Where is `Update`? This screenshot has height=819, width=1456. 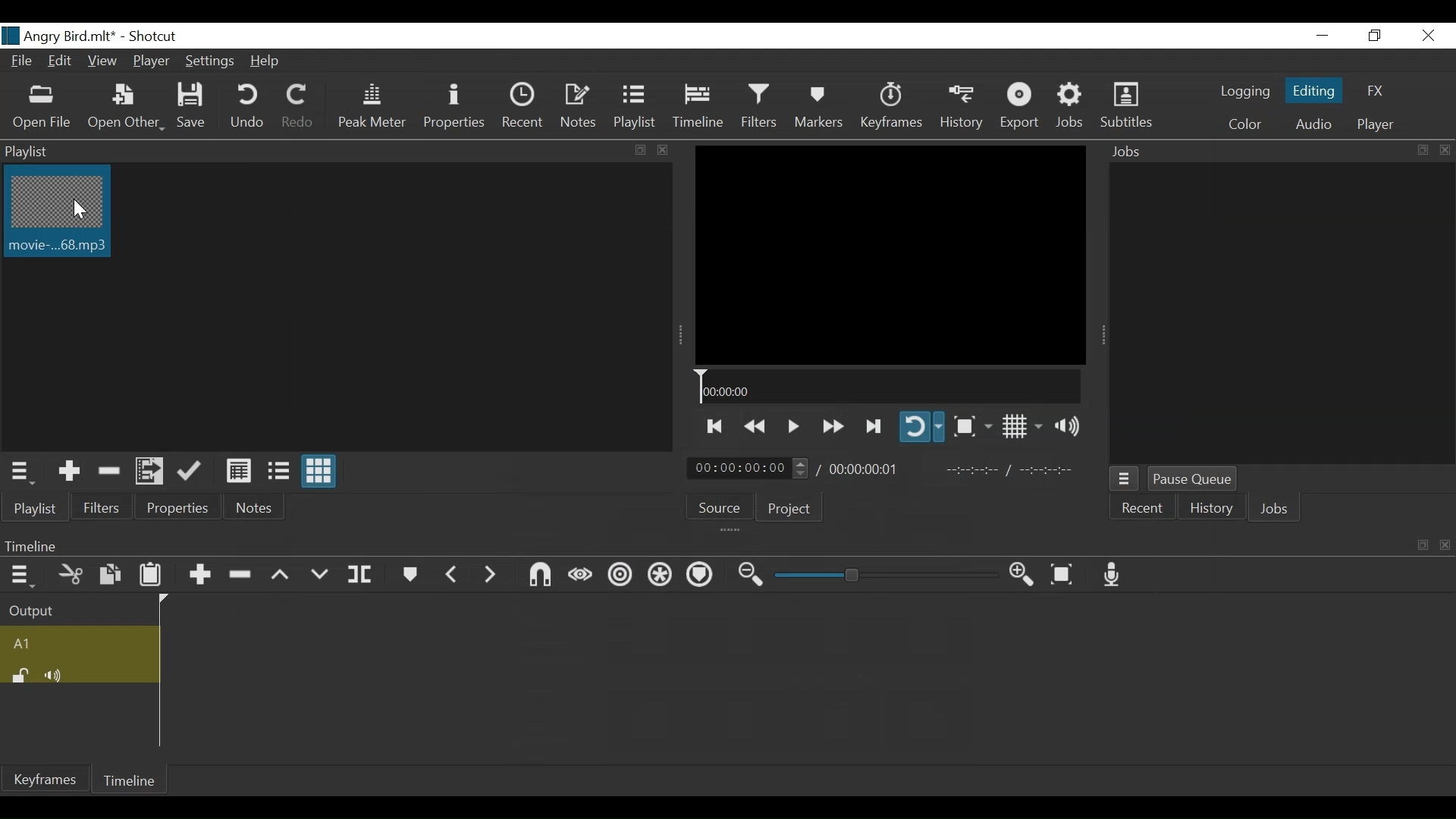
Update is located at coordinates (192, 472).